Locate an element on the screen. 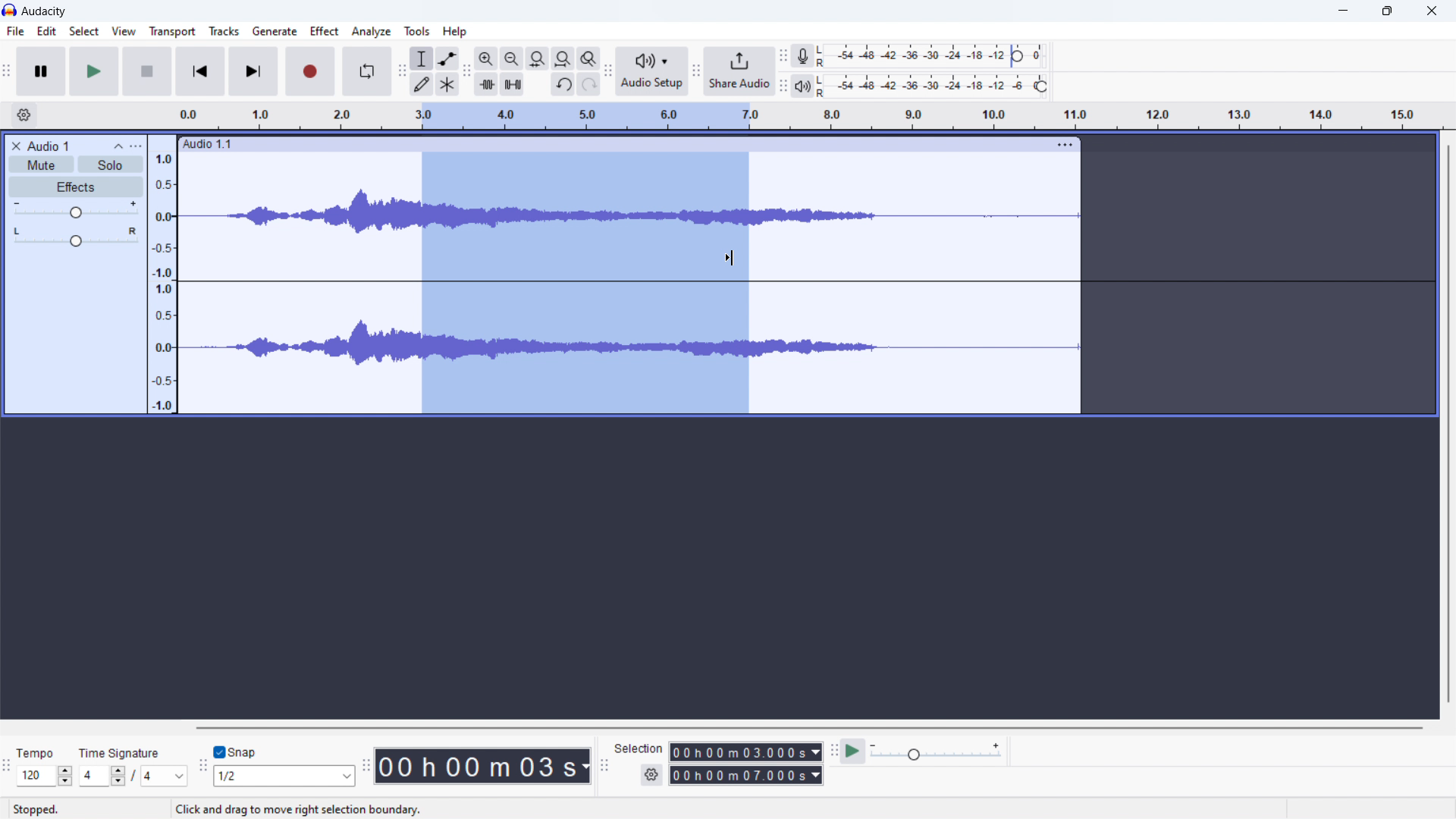 This screenshot has width=1456, height=819. tools toolbar is located at coordinates (402, 71).